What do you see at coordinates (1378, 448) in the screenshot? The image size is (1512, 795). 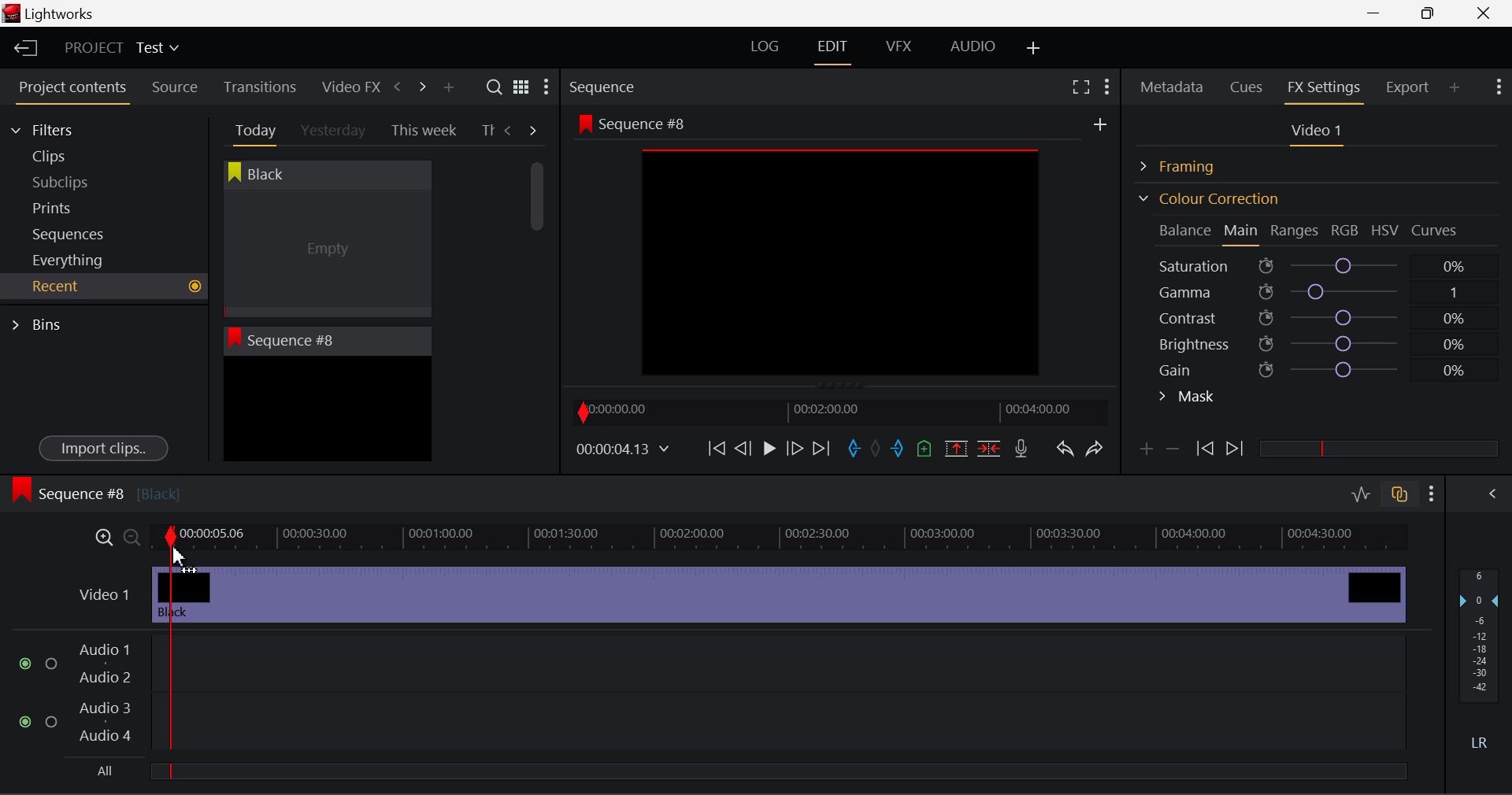 I see `slider` at bounding box center [1378, 448].